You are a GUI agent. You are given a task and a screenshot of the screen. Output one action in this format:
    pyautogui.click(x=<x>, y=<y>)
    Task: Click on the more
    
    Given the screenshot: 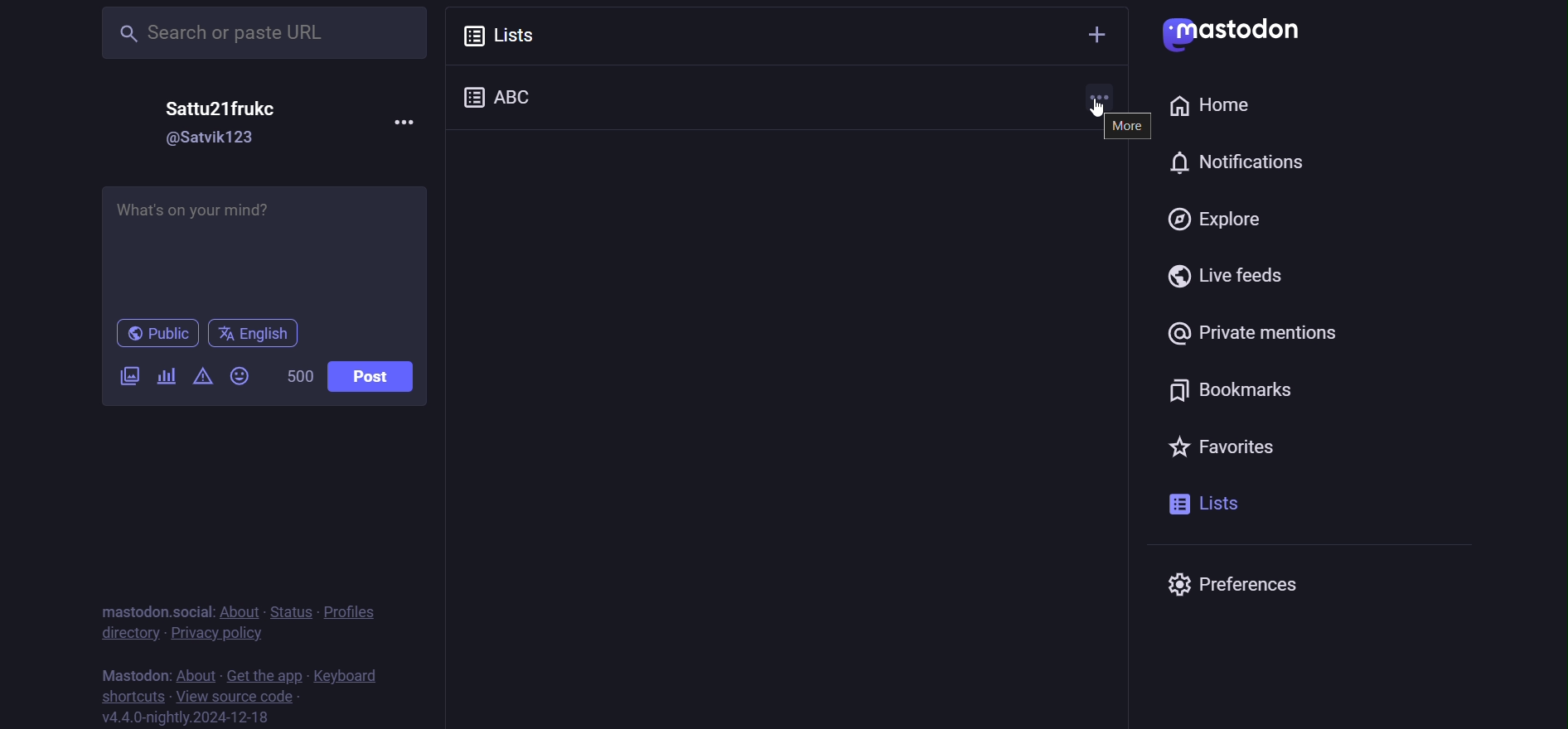 What is the action you would take?
    pyautogui.click(x=410, y=121)
    